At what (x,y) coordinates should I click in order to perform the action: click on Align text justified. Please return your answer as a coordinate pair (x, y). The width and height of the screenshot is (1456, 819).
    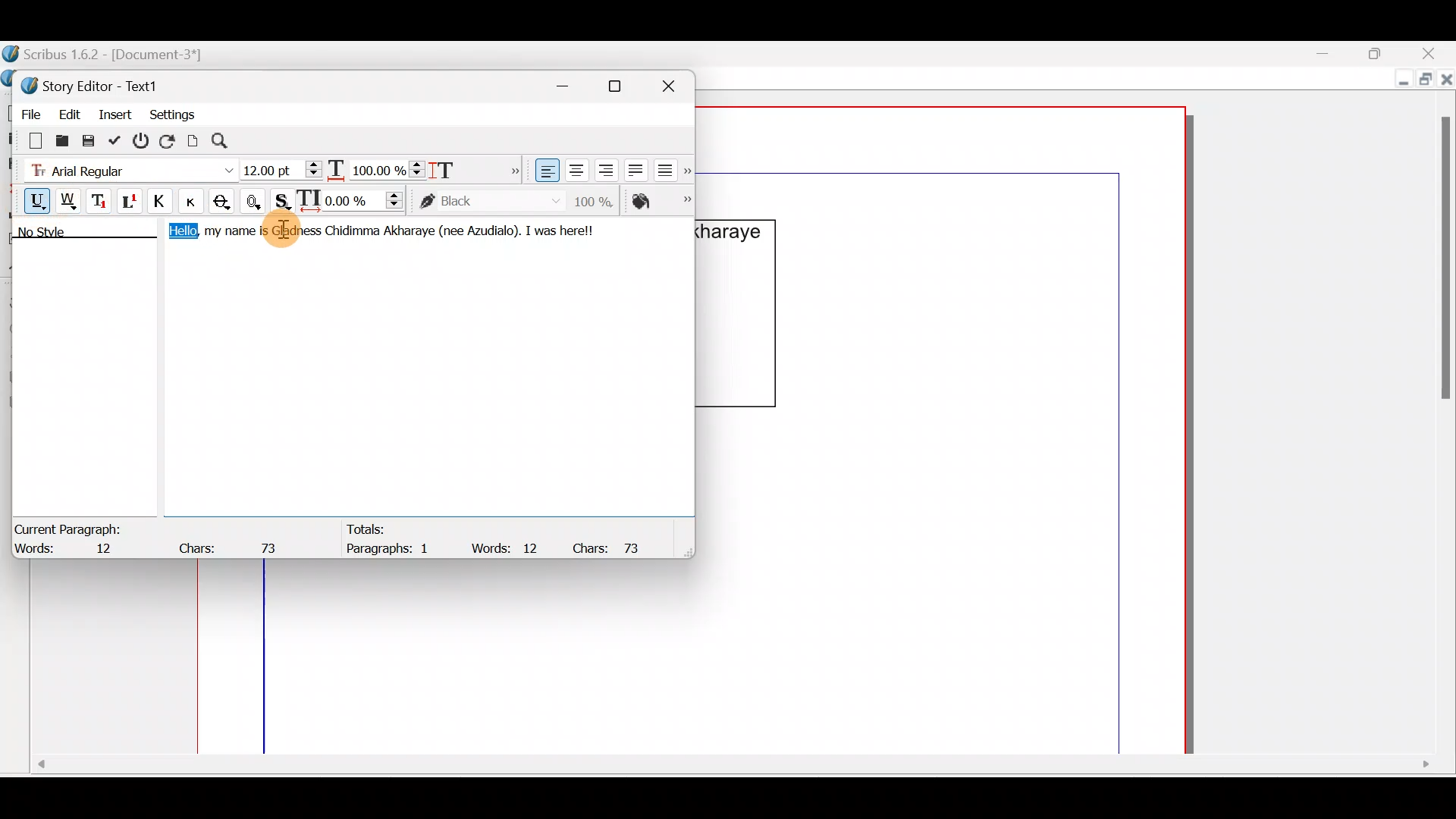
    Looking at the image, I should click on (634, 168).